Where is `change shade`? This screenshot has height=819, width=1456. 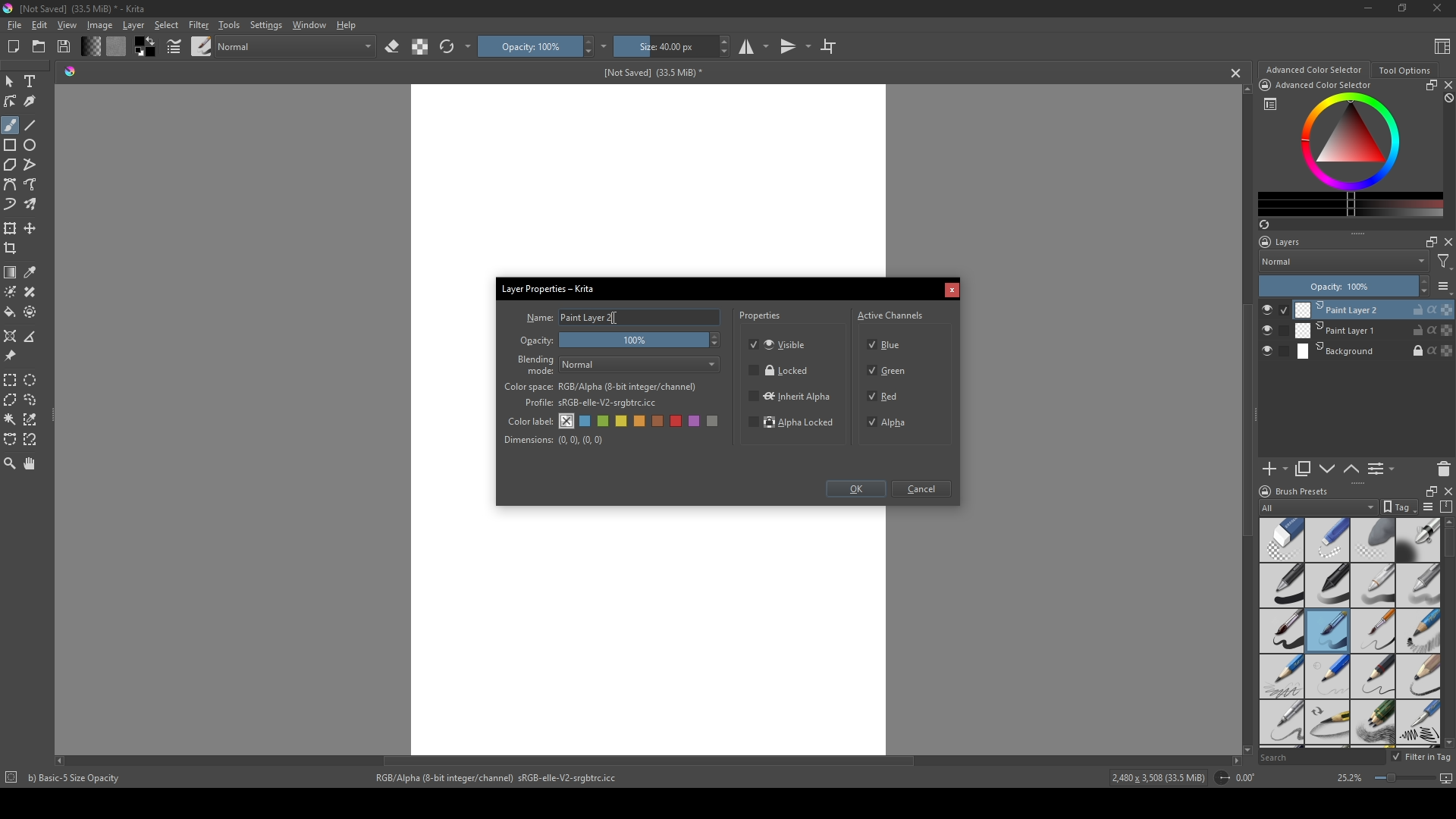
change shade is located at coordinates (90, 46).